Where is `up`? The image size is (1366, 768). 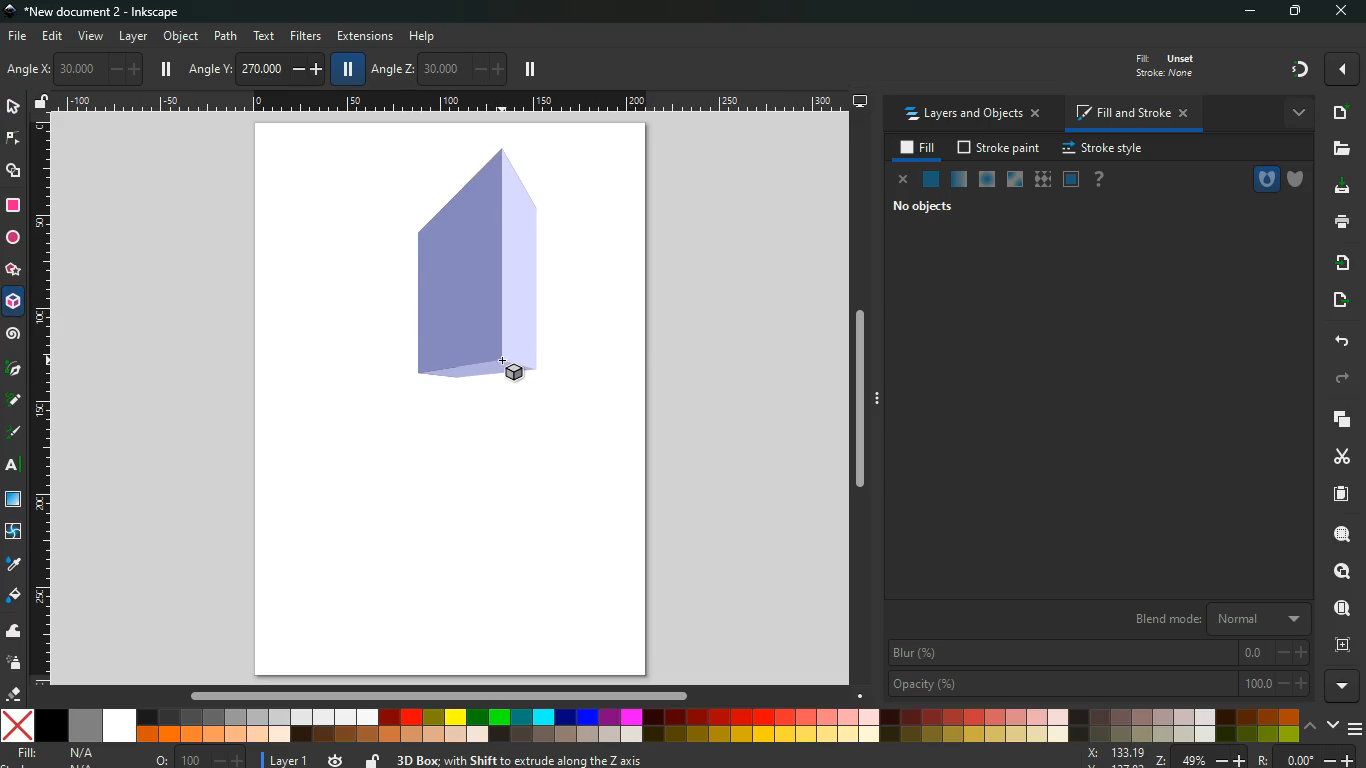
up is located at coordinates (1311, 728).